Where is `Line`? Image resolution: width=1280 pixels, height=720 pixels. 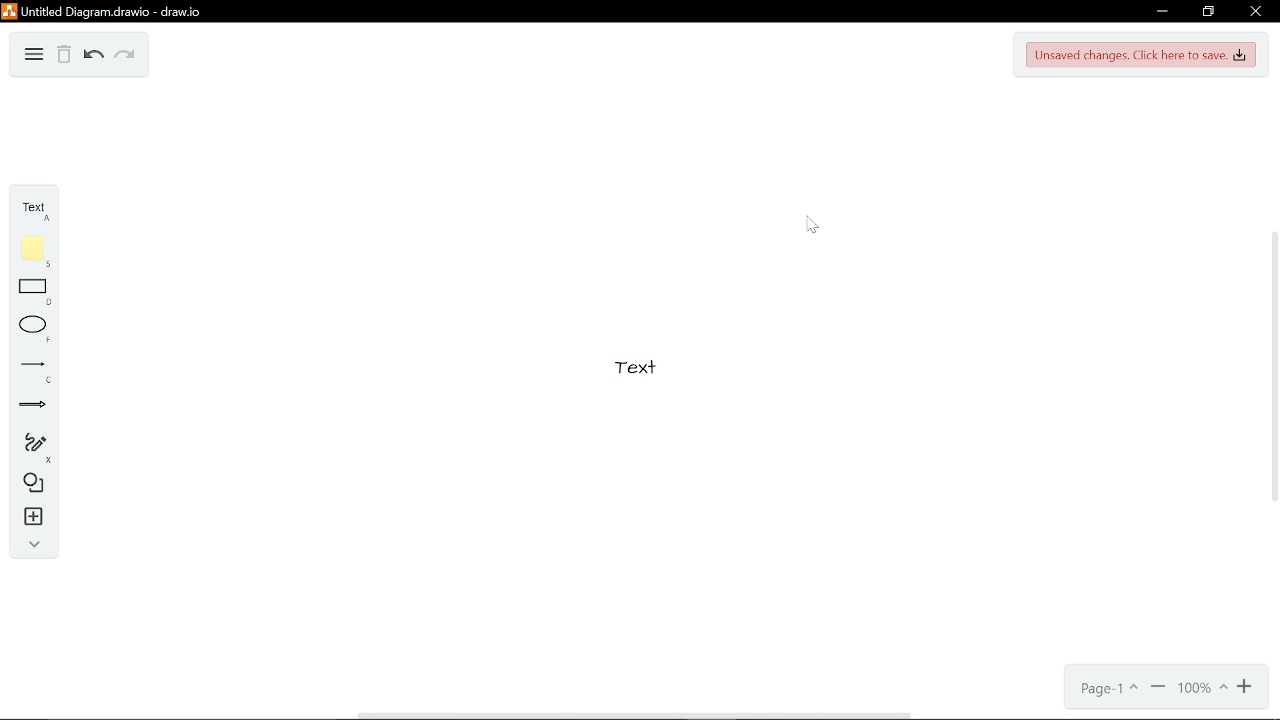
Line is located at coordinates (28, 370).